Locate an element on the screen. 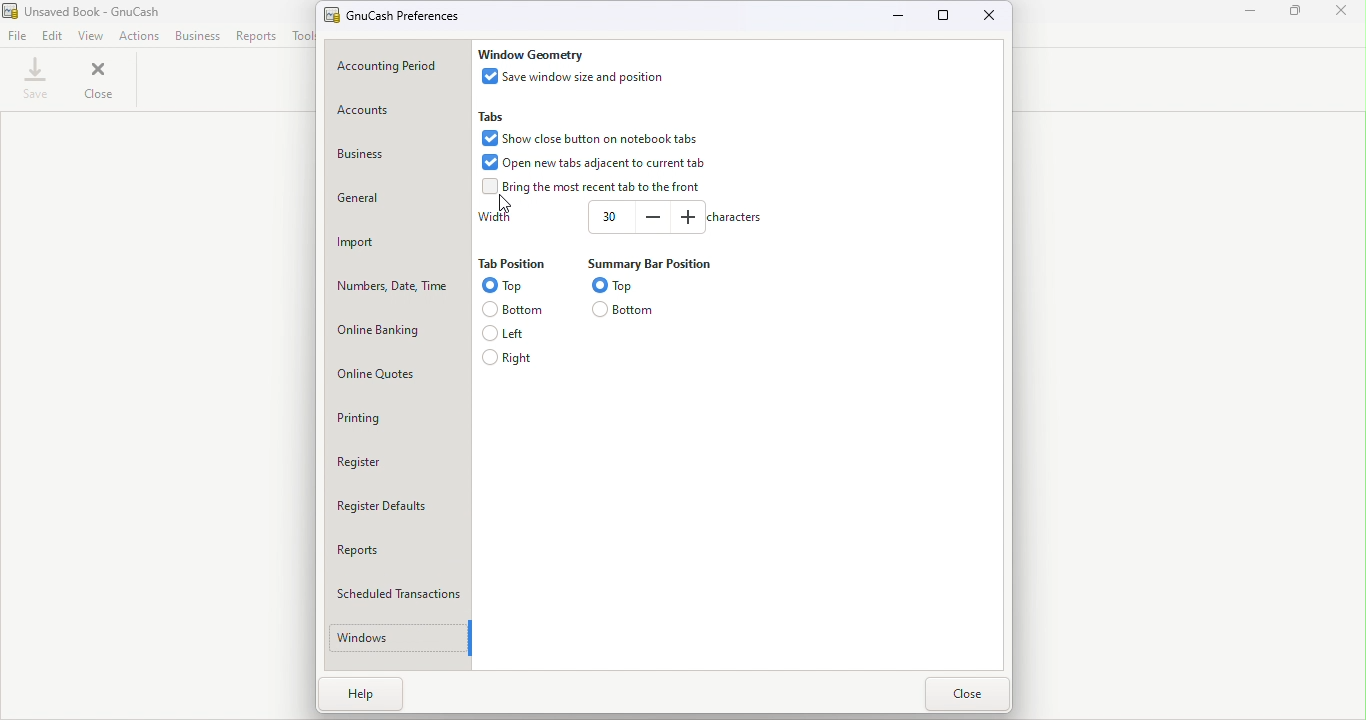  Width is located at coordinates (495, 217).